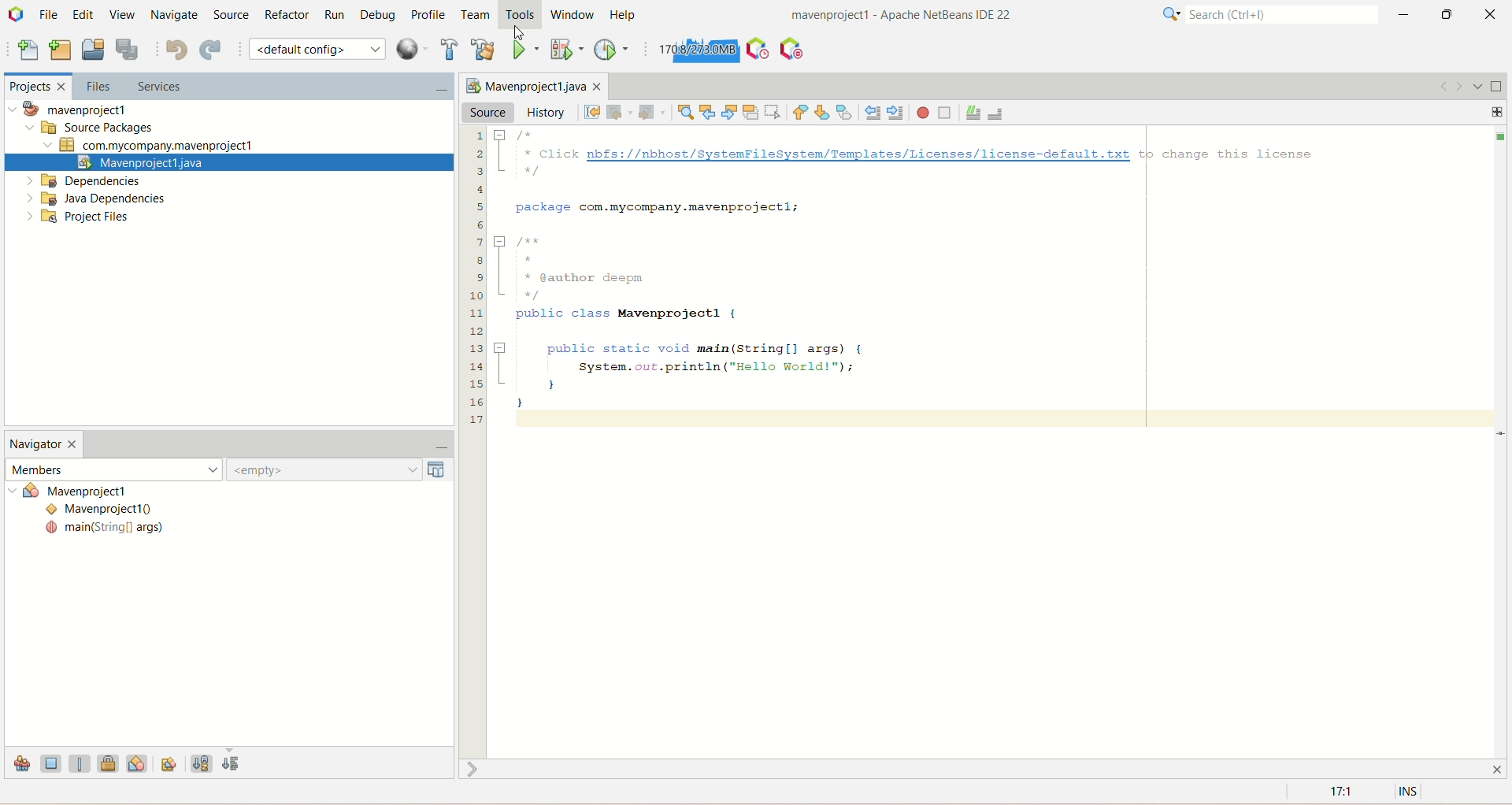  Describe the element at coordinates (229, 13) in the screenshot. I see `source` at that location.